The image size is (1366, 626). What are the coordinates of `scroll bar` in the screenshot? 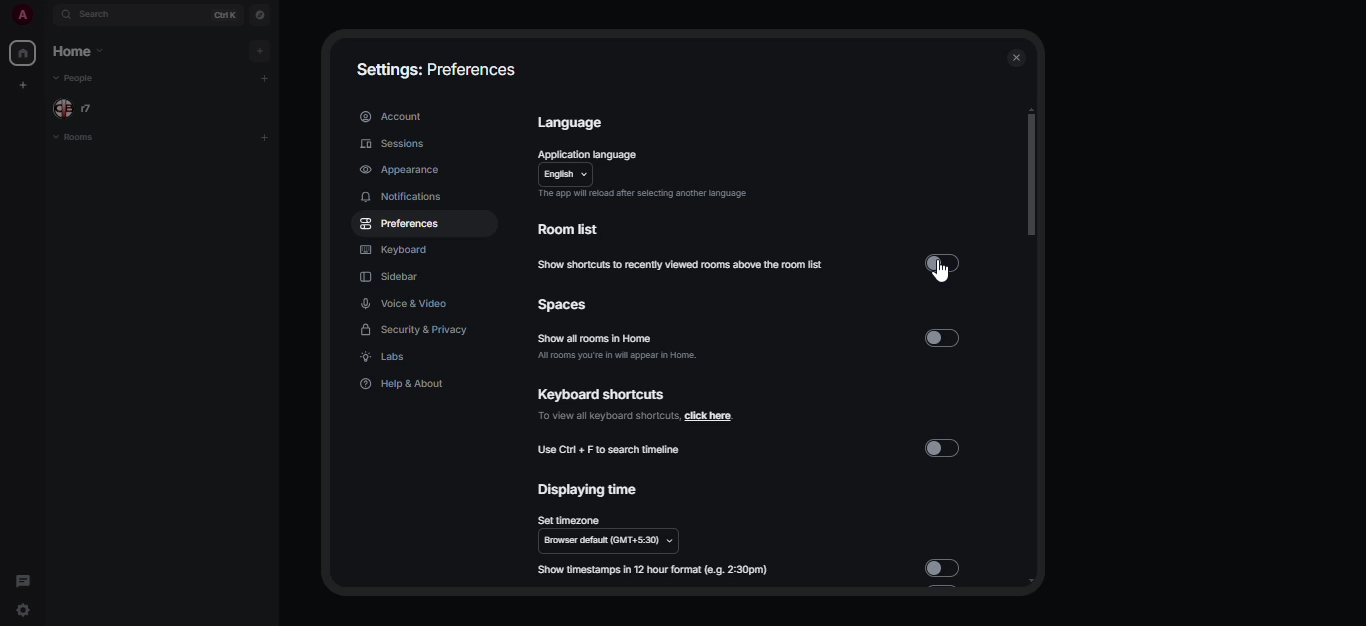 It's located at (1032, 175).